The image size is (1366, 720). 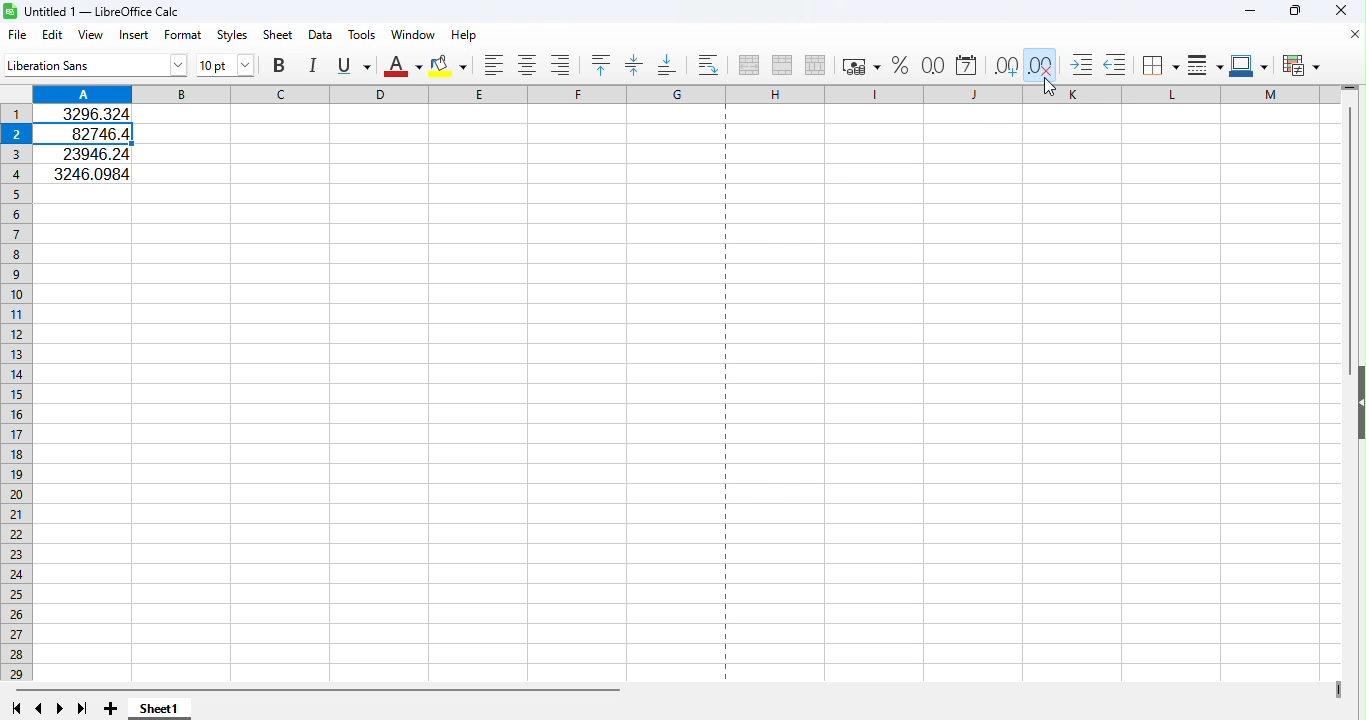 I want to click on Style, so click(x=229, y=34).